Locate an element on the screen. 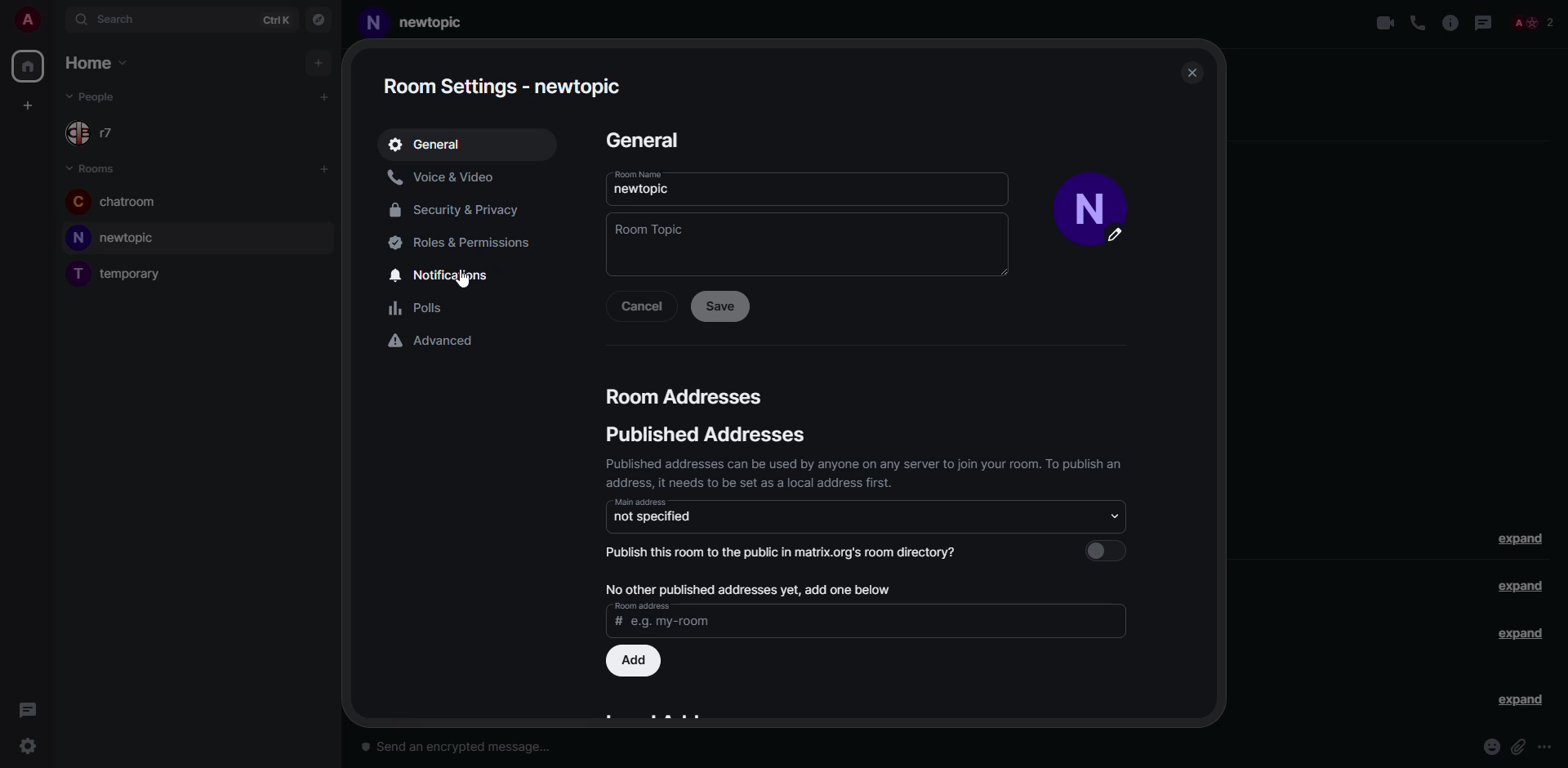 This screenshot has height=768, width=1568. more is located at coordinates (1547, 748).